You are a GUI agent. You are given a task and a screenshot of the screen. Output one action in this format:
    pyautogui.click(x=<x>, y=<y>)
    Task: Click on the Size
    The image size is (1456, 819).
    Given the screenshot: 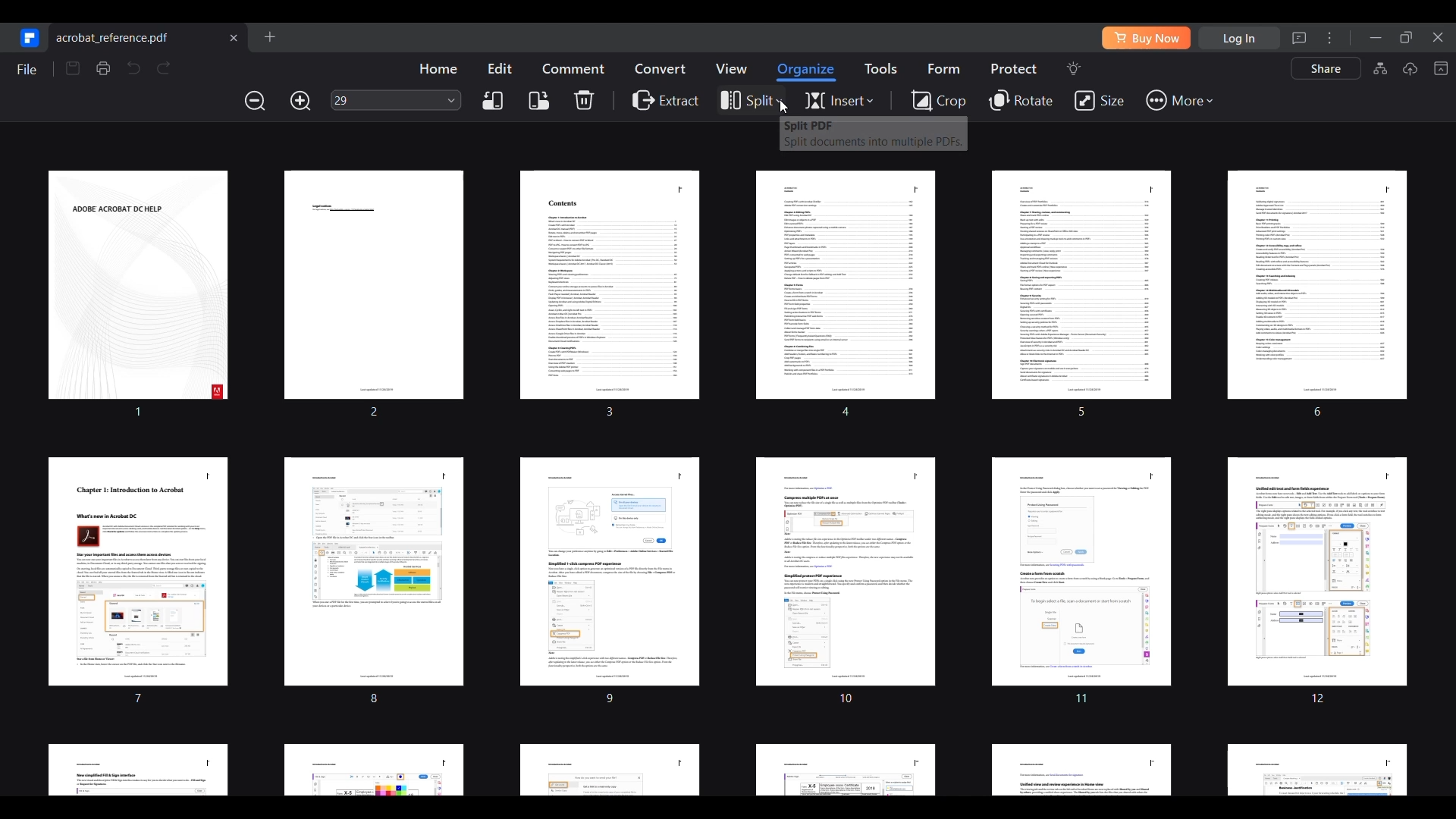 What is the action you would take?
    pyautogui.click(x=1099, y=101)
    